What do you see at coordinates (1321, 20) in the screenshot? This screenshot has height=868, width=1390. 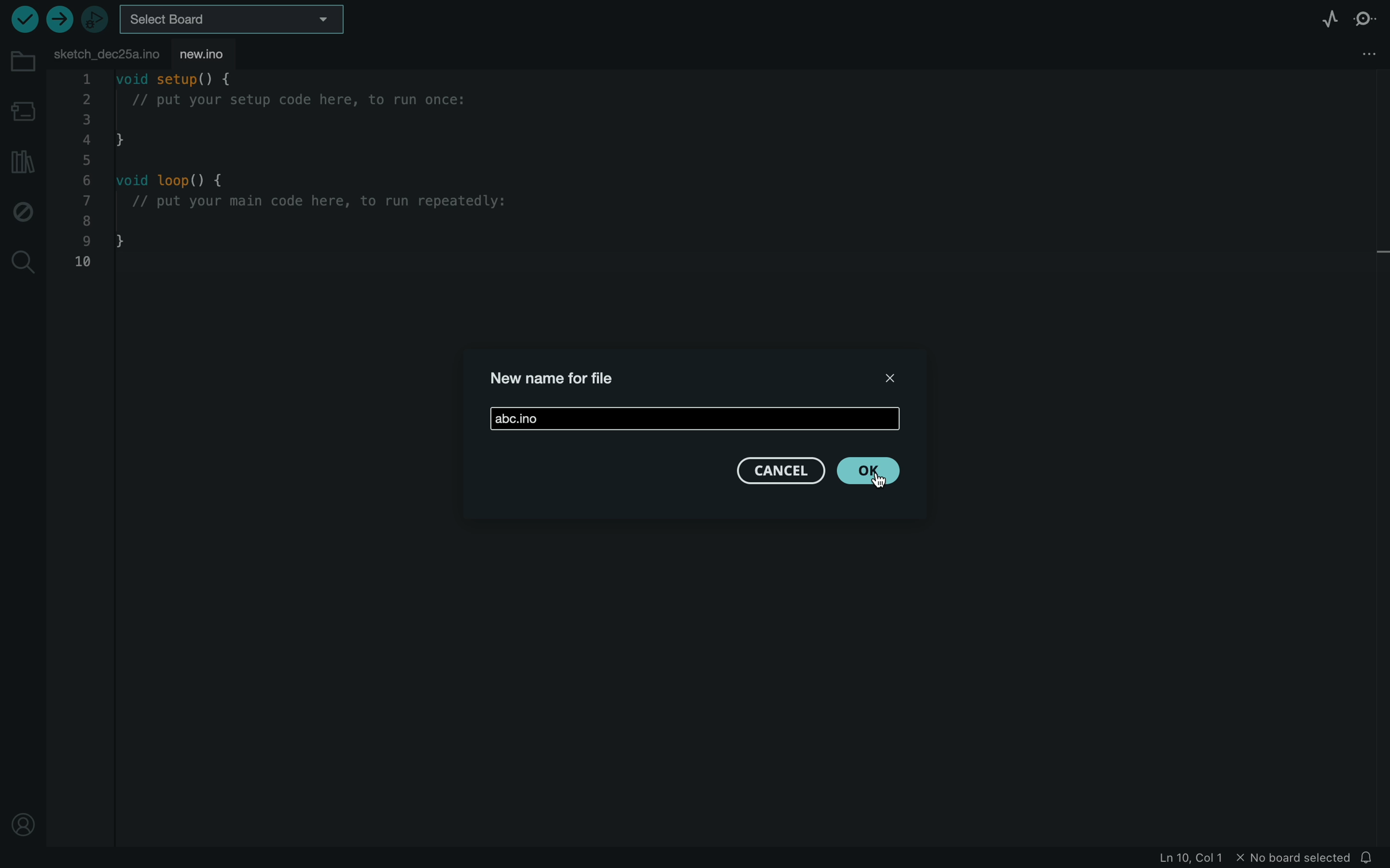 I see `serial plotter` at bounding box center [1321, 20].